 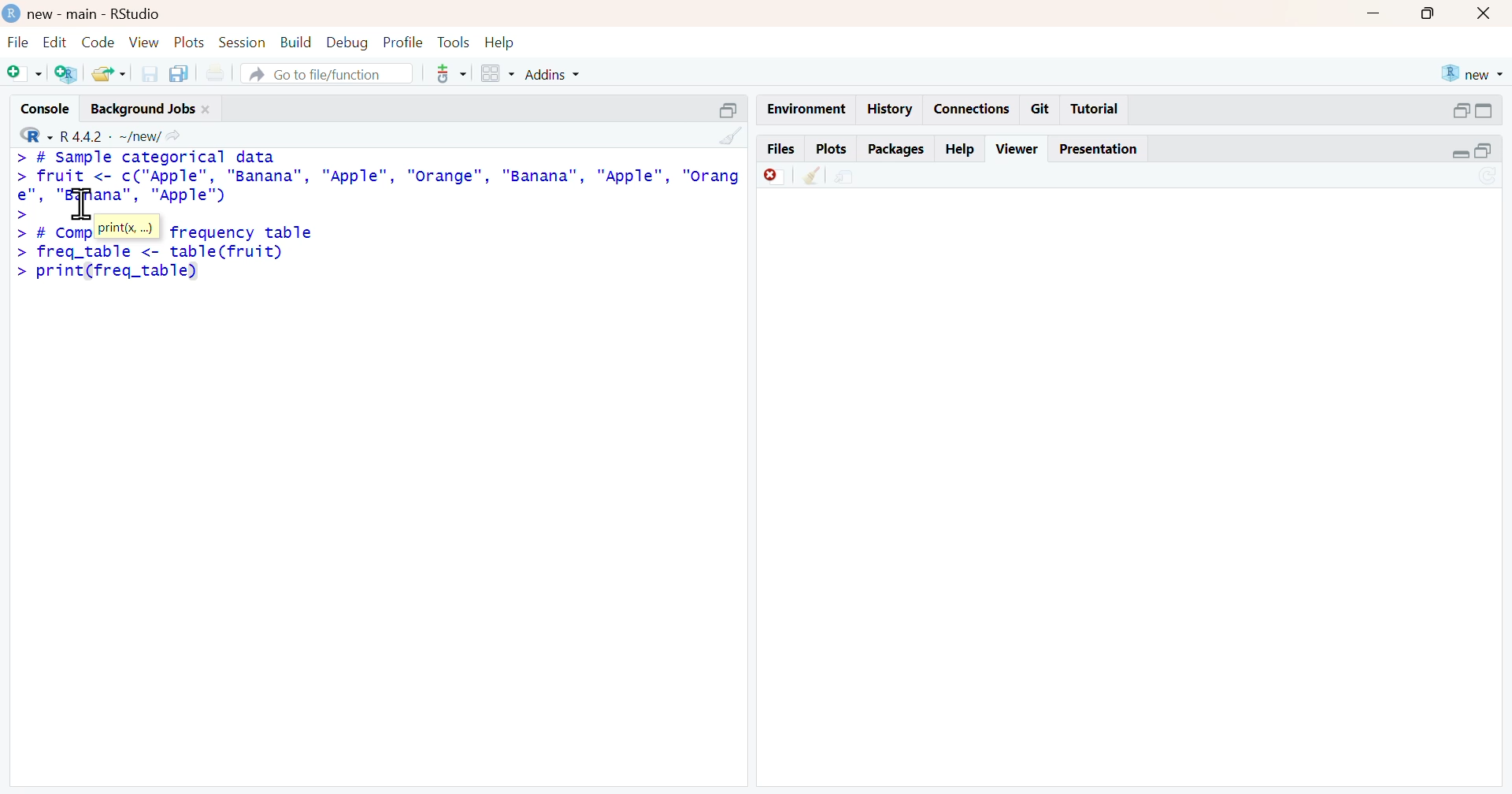 I want to click on save all open documents, so click(x=181, y=74).